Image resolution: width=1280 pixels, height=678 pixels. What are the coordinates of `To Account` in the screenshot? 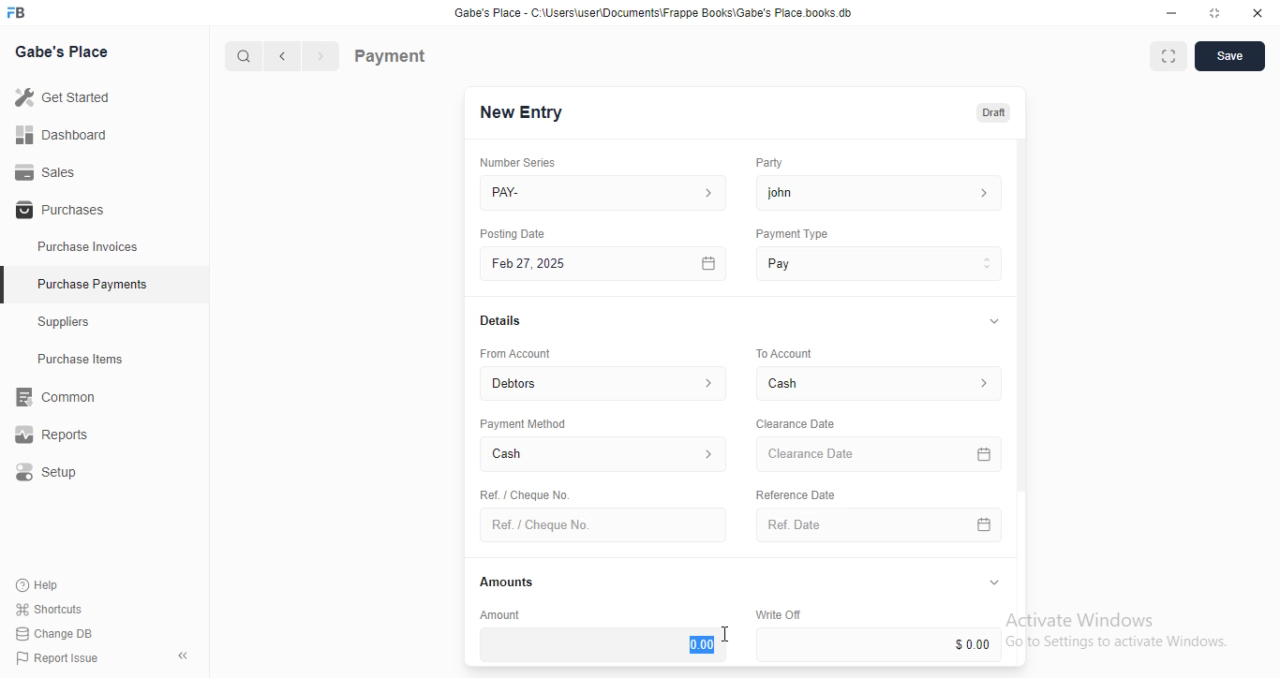 It's located at (782, 352).